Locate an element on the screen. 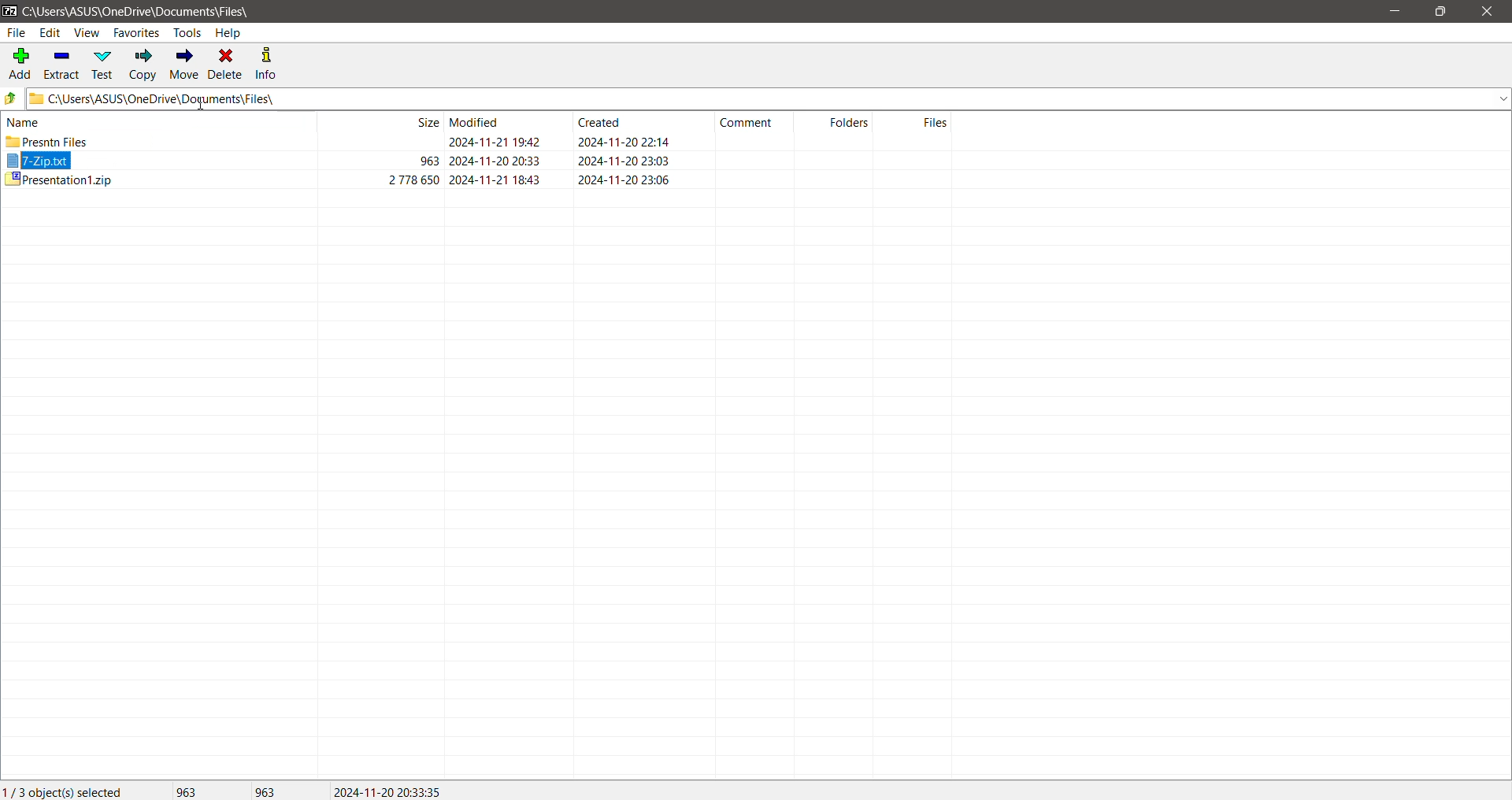 This screenshot has width=1512, height=800. Modified Date of the last selected file is located at coordinates (394, 791).